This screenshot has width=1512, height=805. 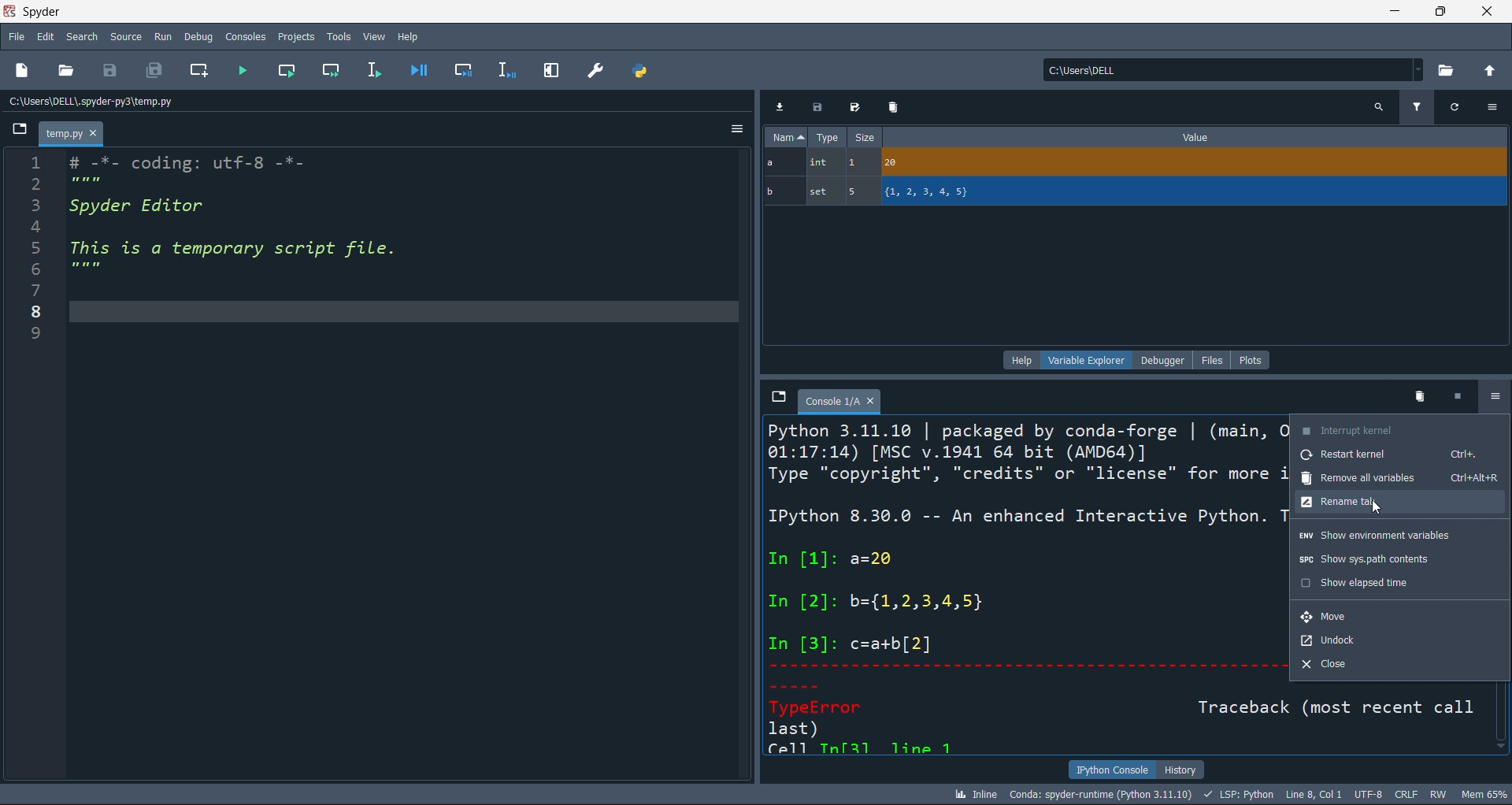 What do you see at coordinates (1400, 614) in the screenshot?
I see `move` at bounding box center [1400, 614].